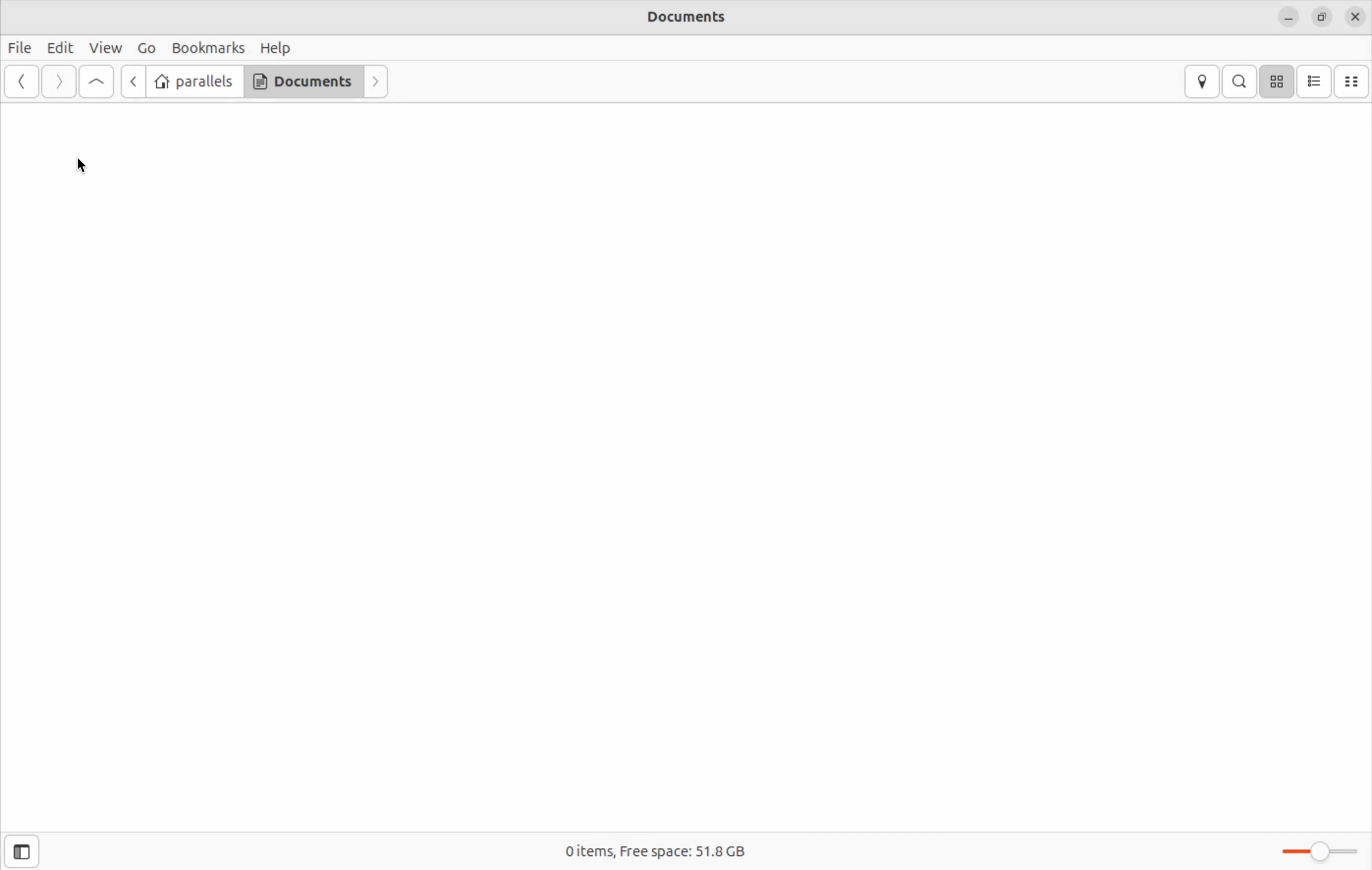 The width and height of the screenshot is (1372, 870). What do you see at coordinates (378, 81) in the screenshot?
I see `forward` at bounding box center [378, 81].